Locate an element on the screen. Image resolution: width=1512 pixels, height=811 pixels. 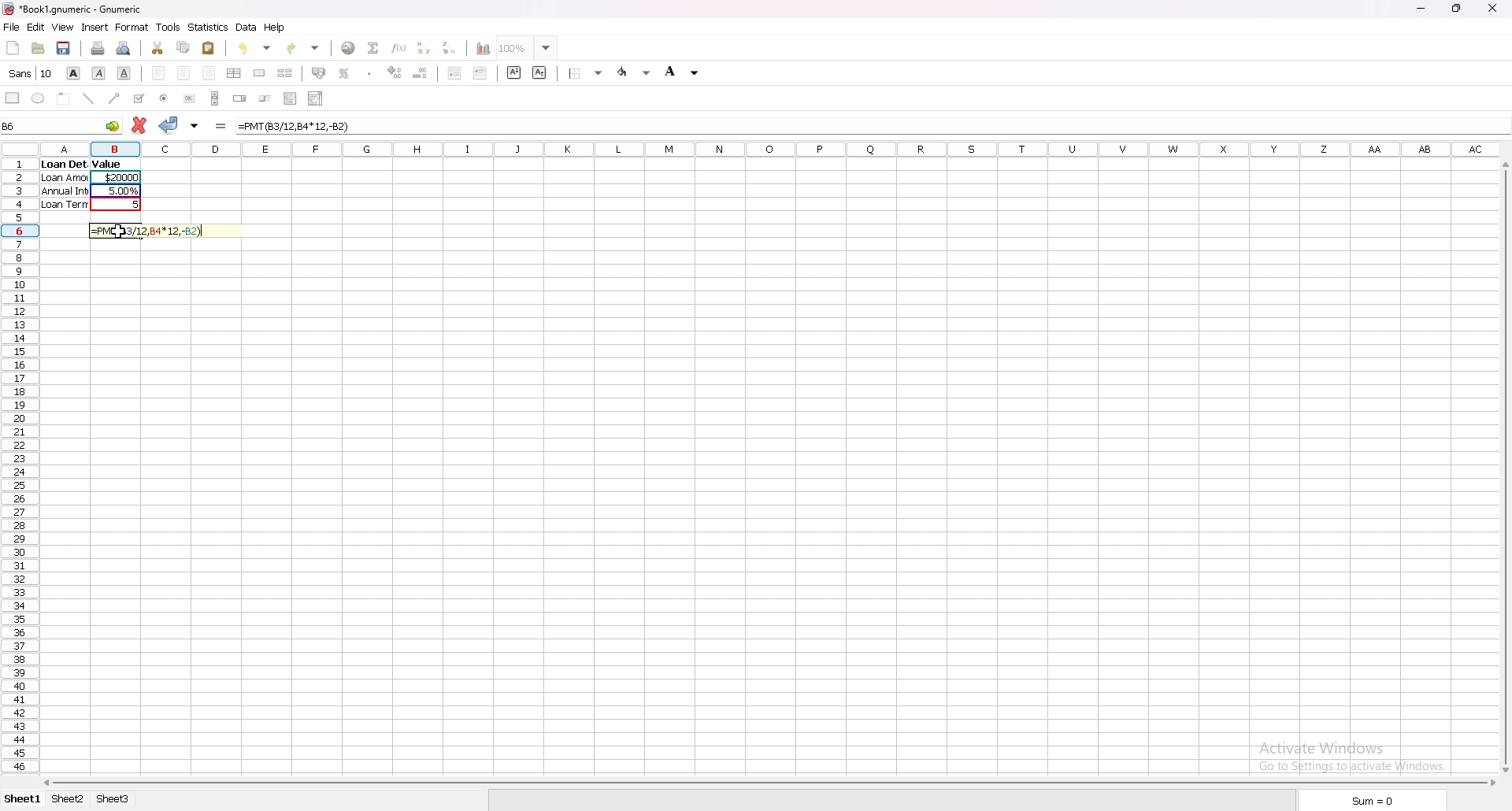
undo is located at coordinates (255, 48).